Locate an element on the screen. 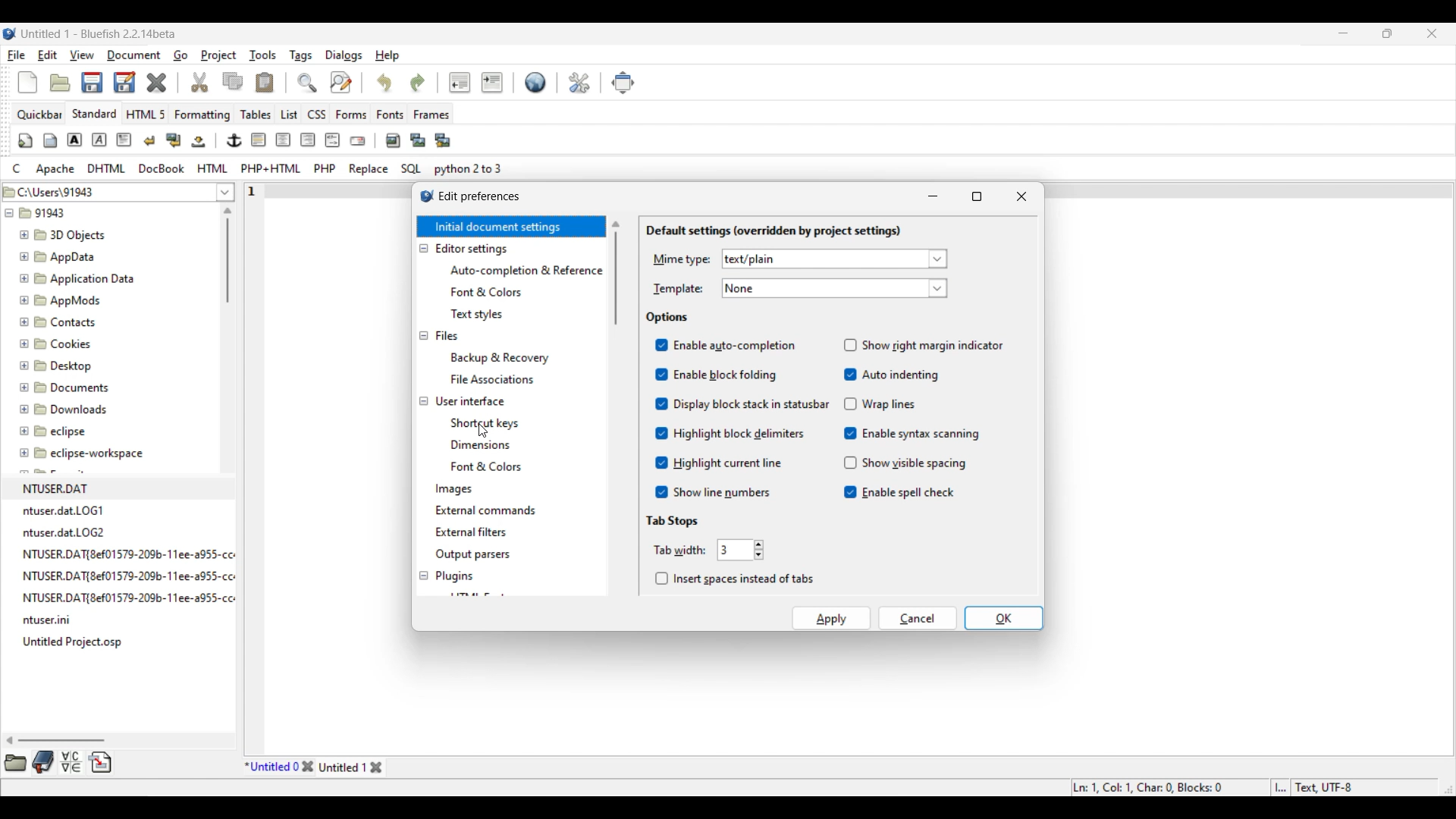 The height and width of the screenshot is (819, 1456). Edit menu is located at coordinates (48, 55).